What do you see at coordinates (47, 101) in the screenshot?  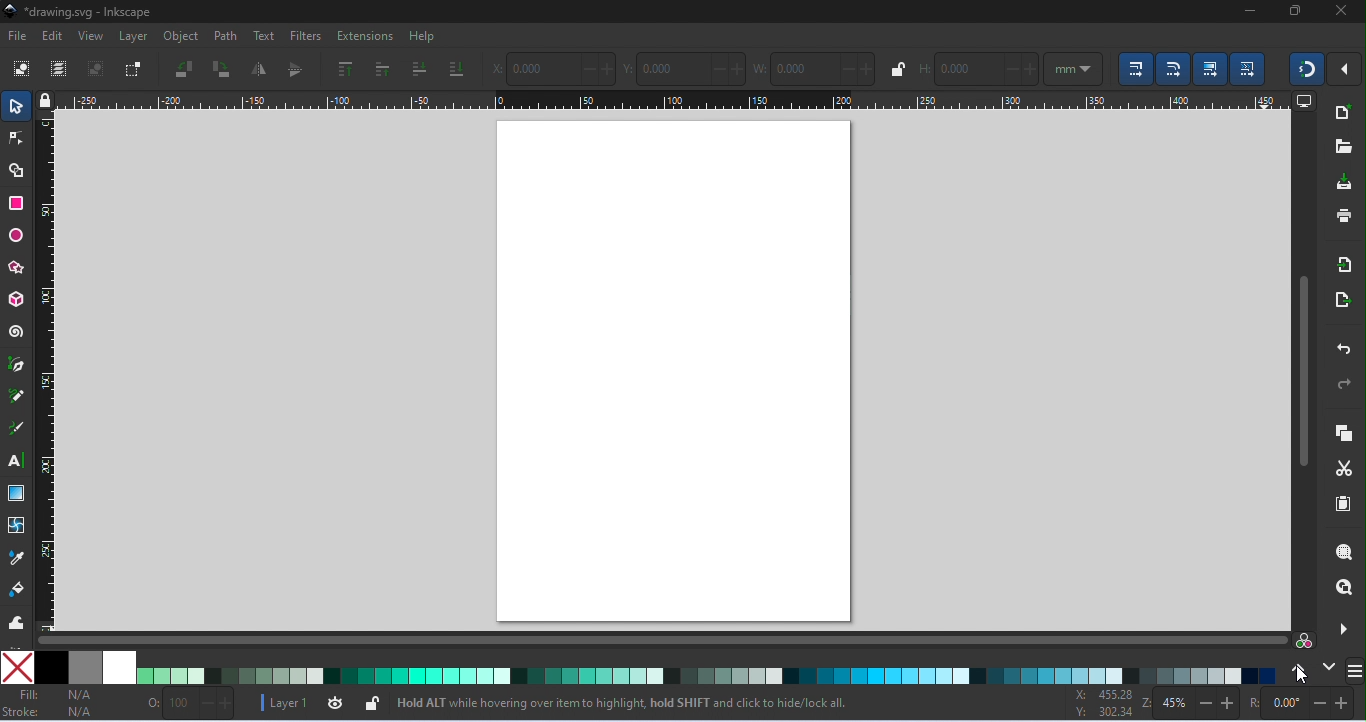 I see `toggle lock all guides` at bounding box center [47, 101].